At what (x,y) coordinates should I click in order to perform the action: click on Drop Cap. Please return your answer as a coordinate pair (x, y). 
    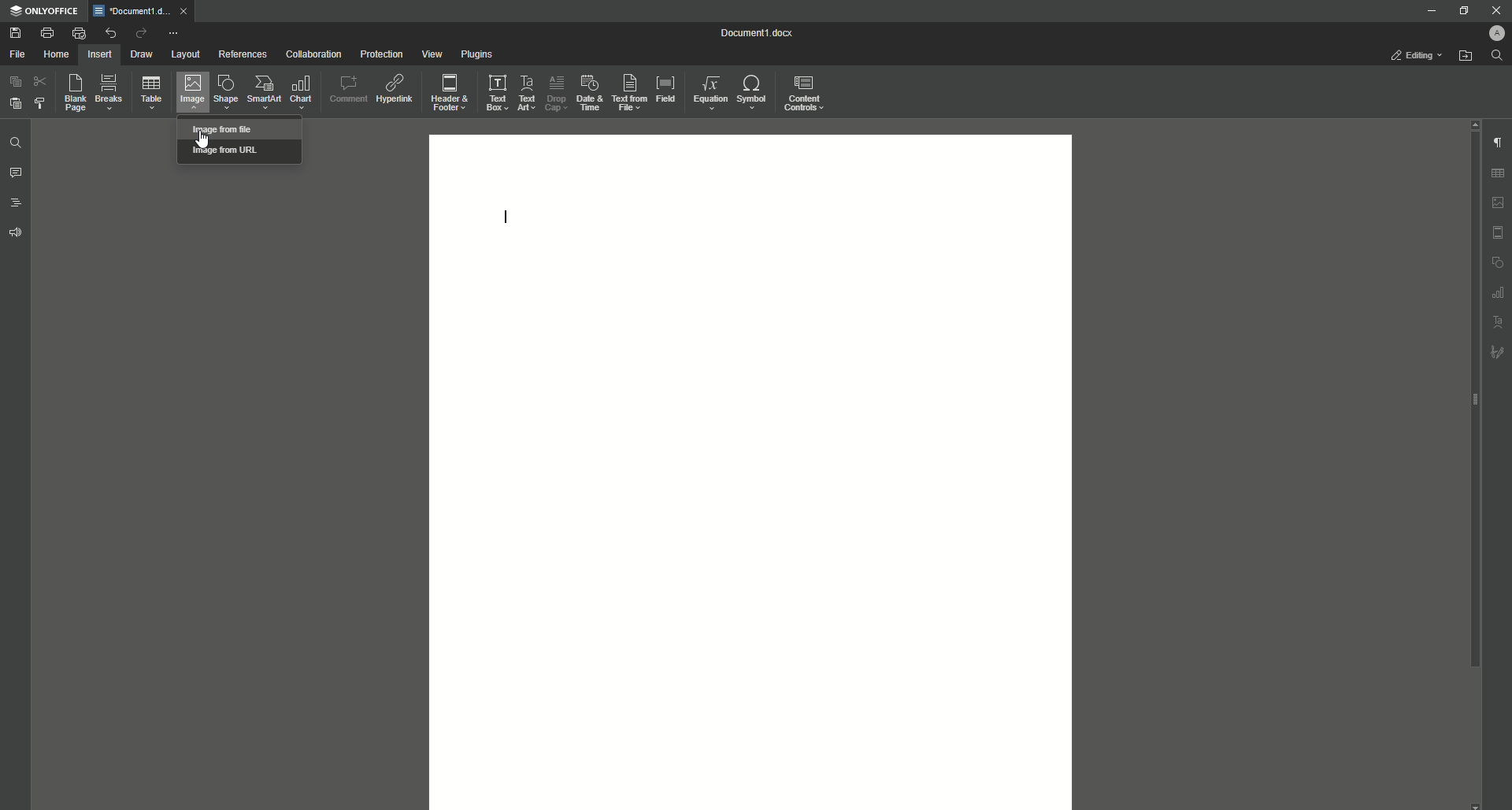
    Looking at the image, I should click on (556, 94).